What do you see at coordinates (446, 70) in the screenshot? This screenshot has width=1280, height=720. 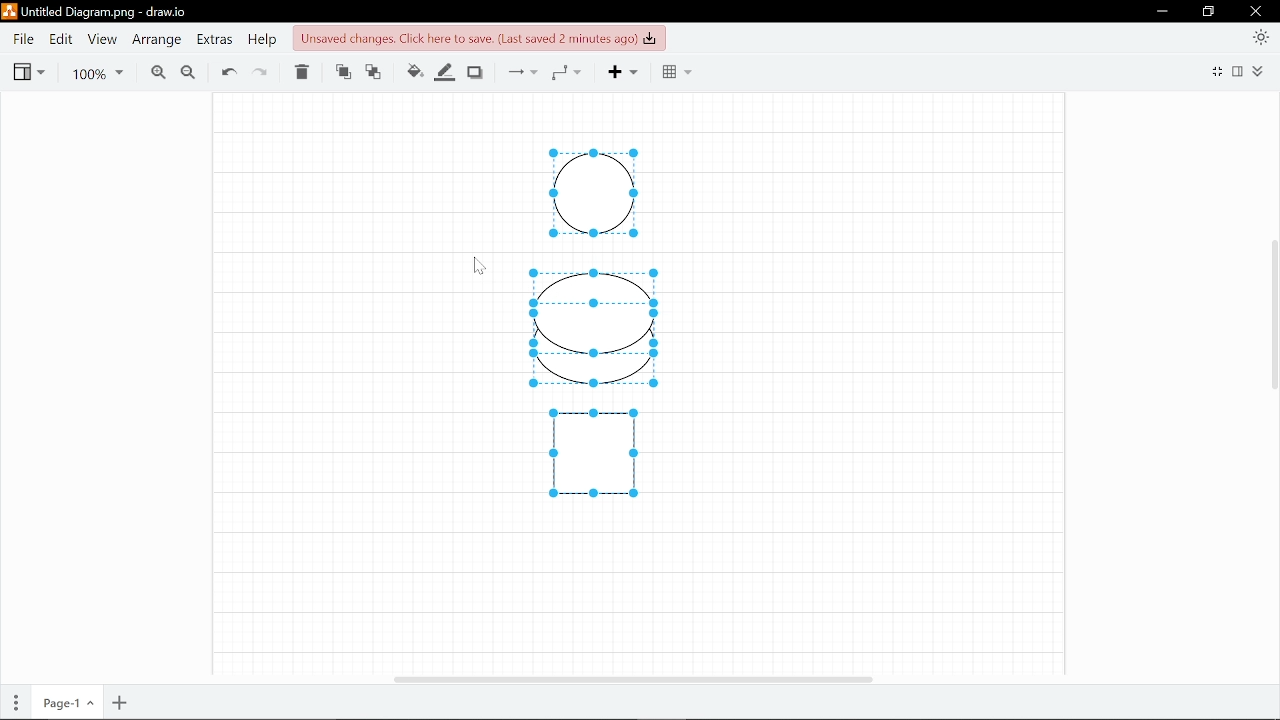 I see `Line color` at bounding box center [446, 70].